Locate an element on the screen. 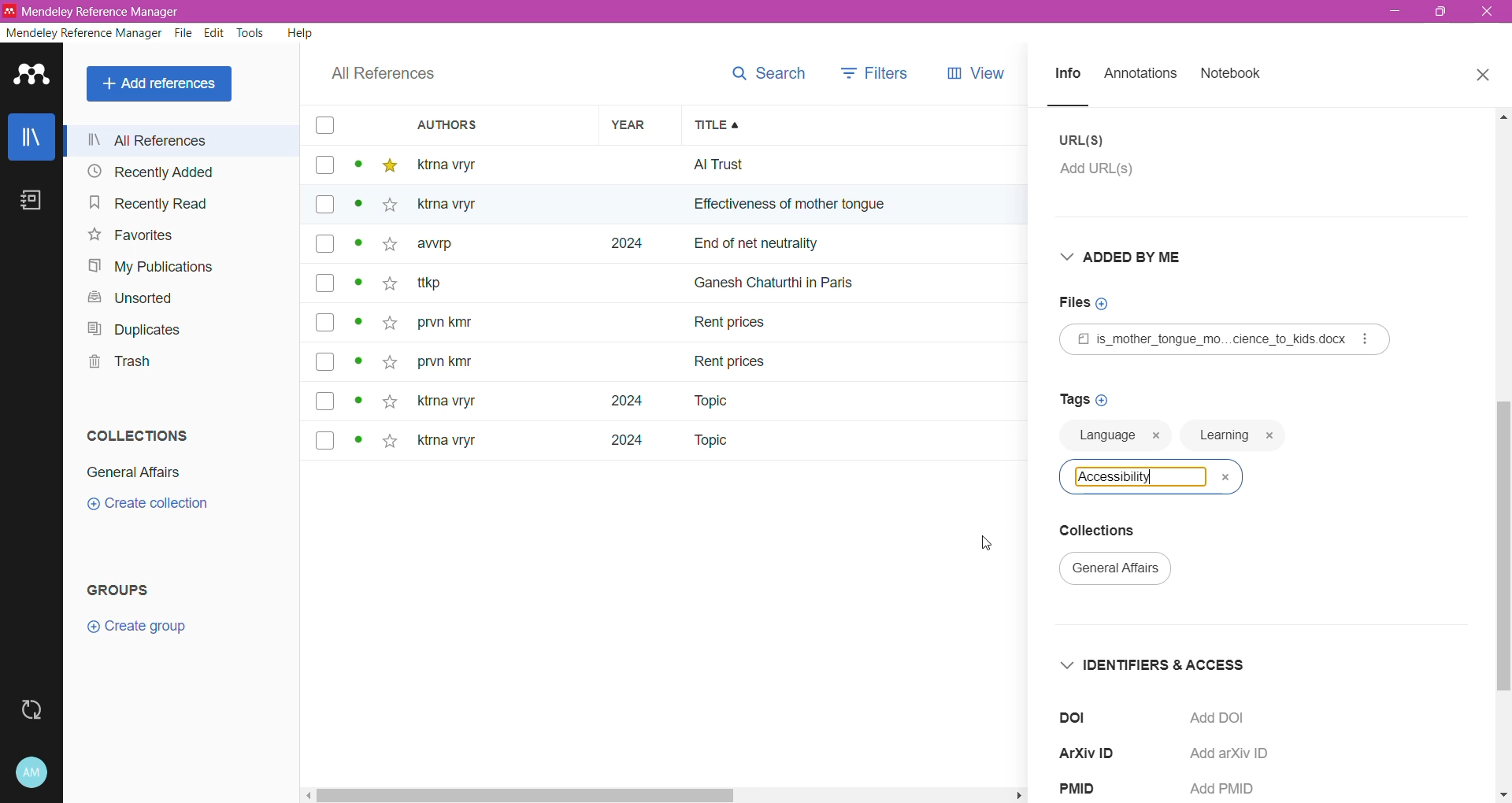  ktma vryr is located at coordinates (447, 444).